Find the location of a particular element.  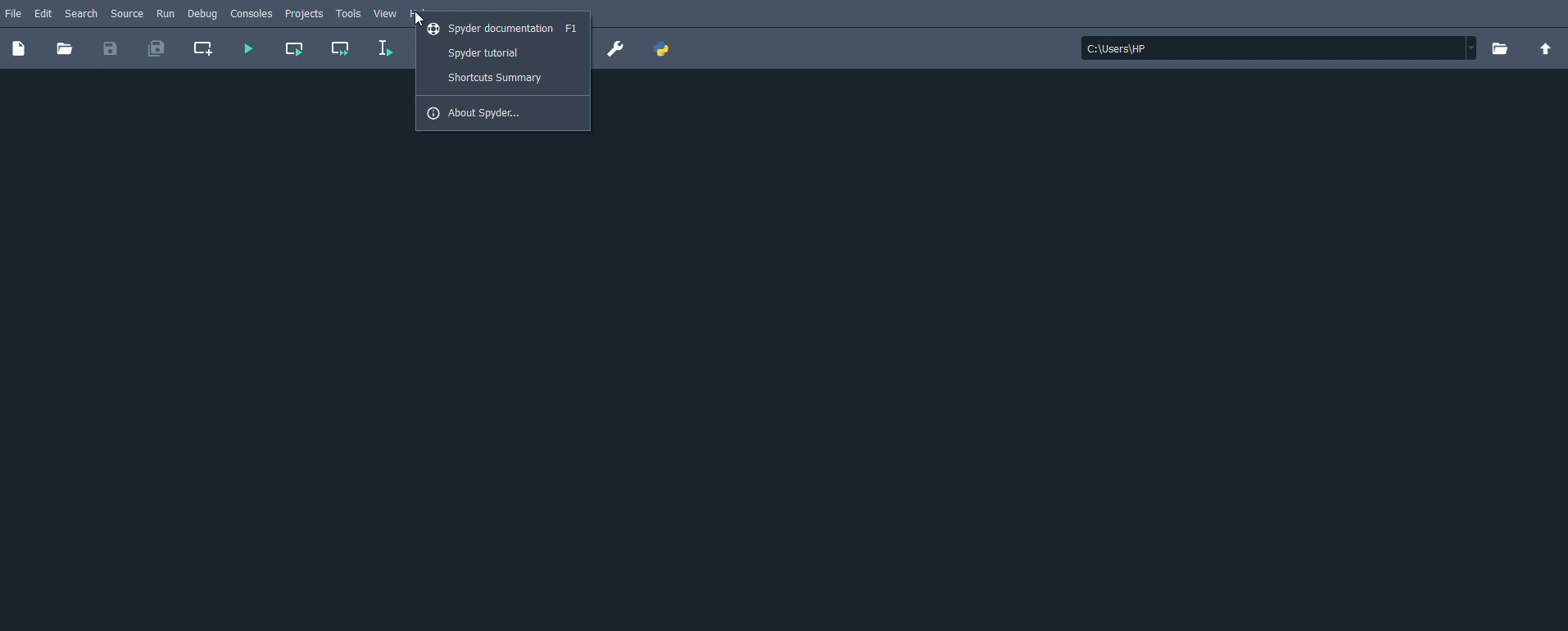

Open file is located at coordinates (66, 49).